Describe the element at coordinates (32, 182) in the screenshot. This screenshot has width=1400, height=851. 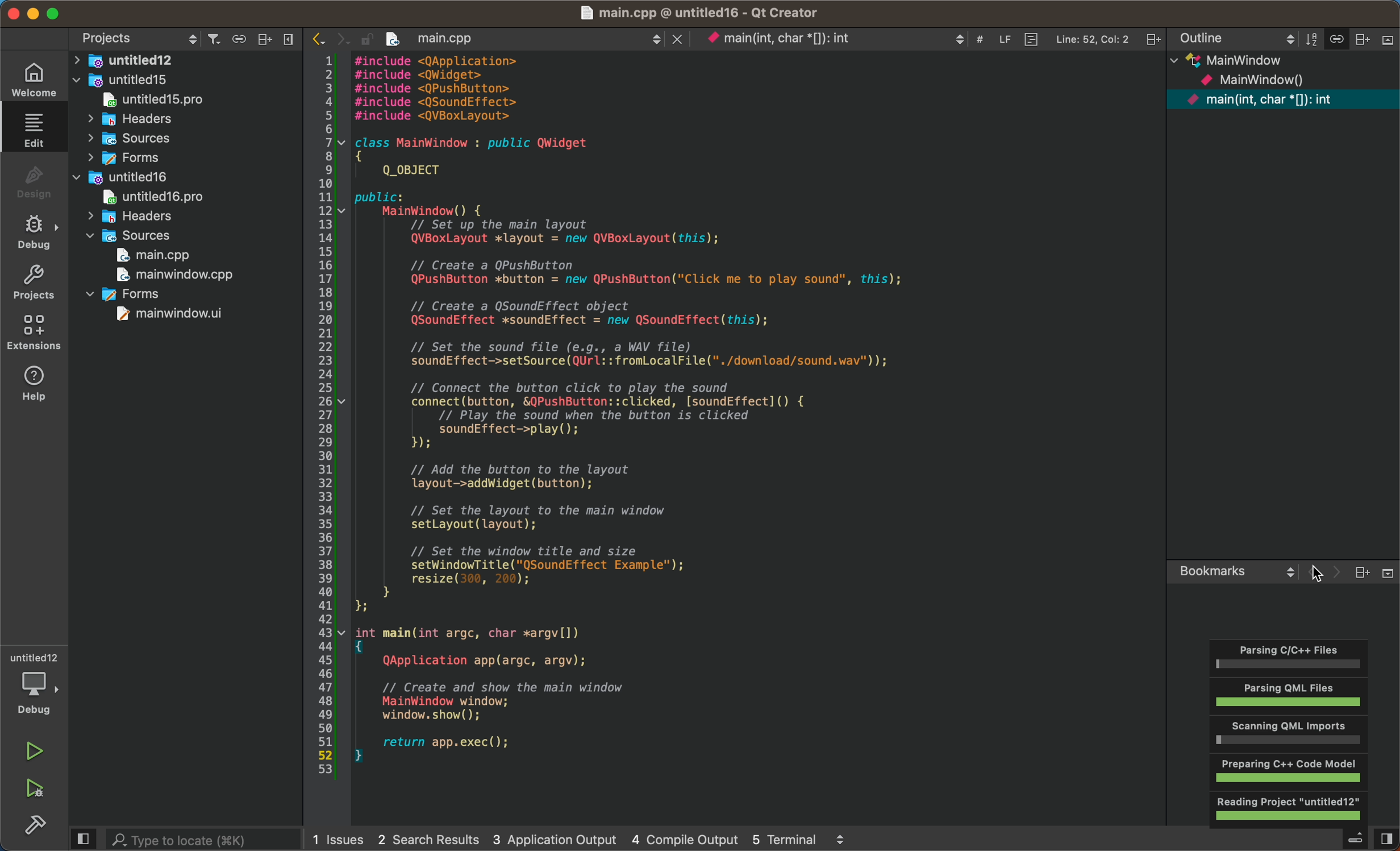
I see `design` at that location.